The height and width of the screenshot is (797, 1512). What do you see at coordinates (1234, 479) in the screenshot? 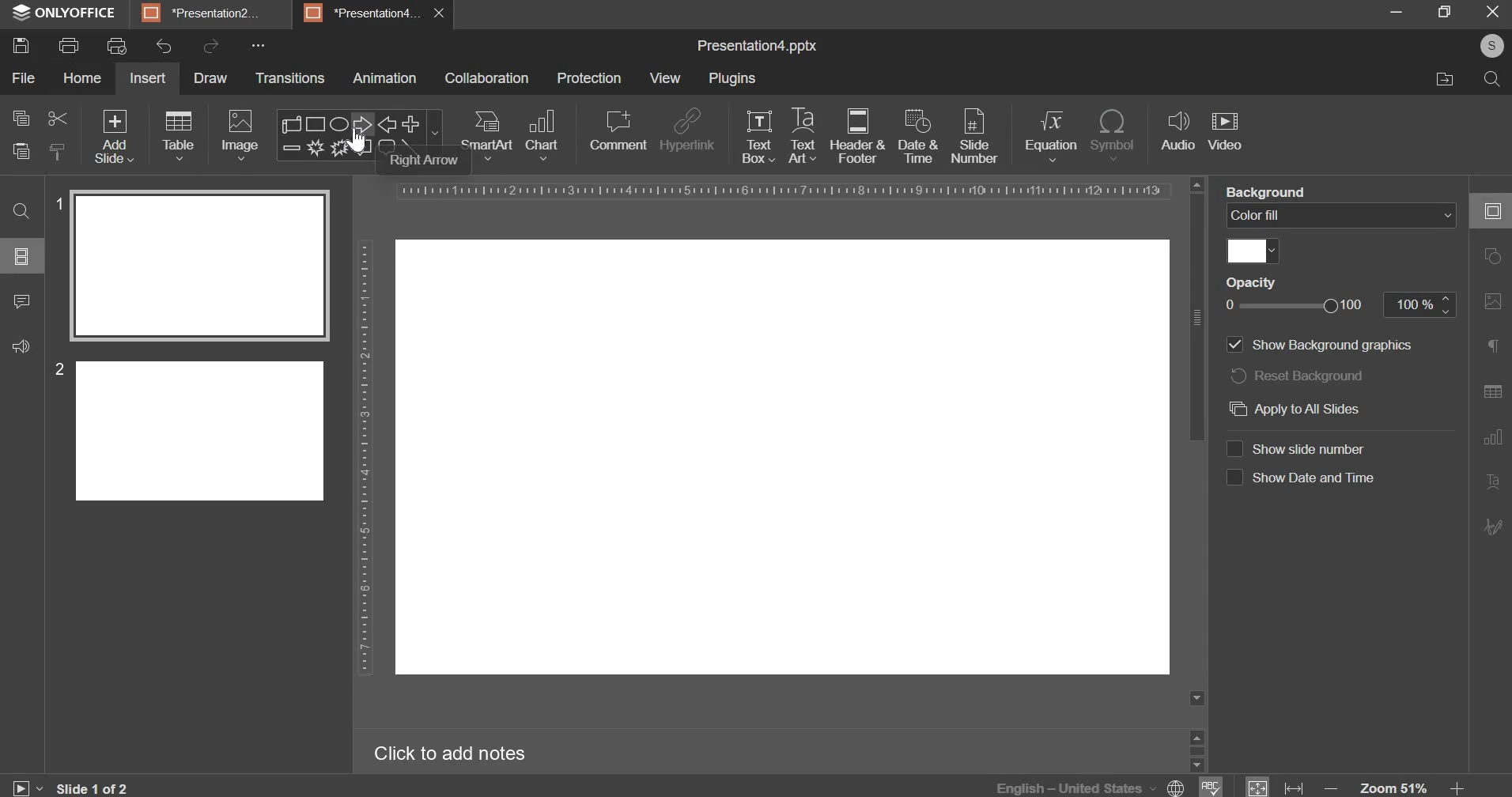
I see `show date & time` at bounding box center [1234, 479].